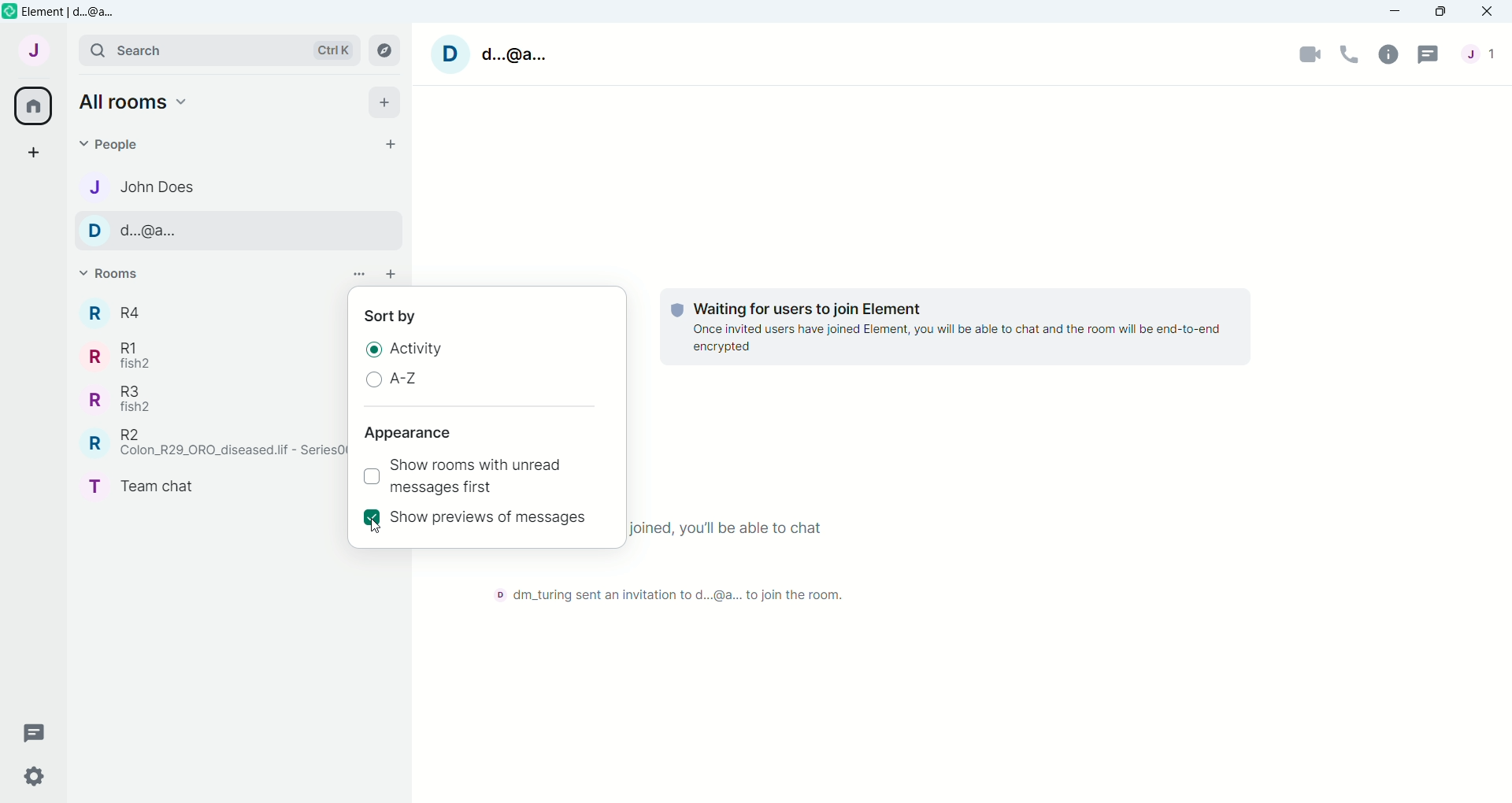  What do you see at coordinates (74, 11) in the screenshot?
I see `Element` at bounding box center [74, 11].